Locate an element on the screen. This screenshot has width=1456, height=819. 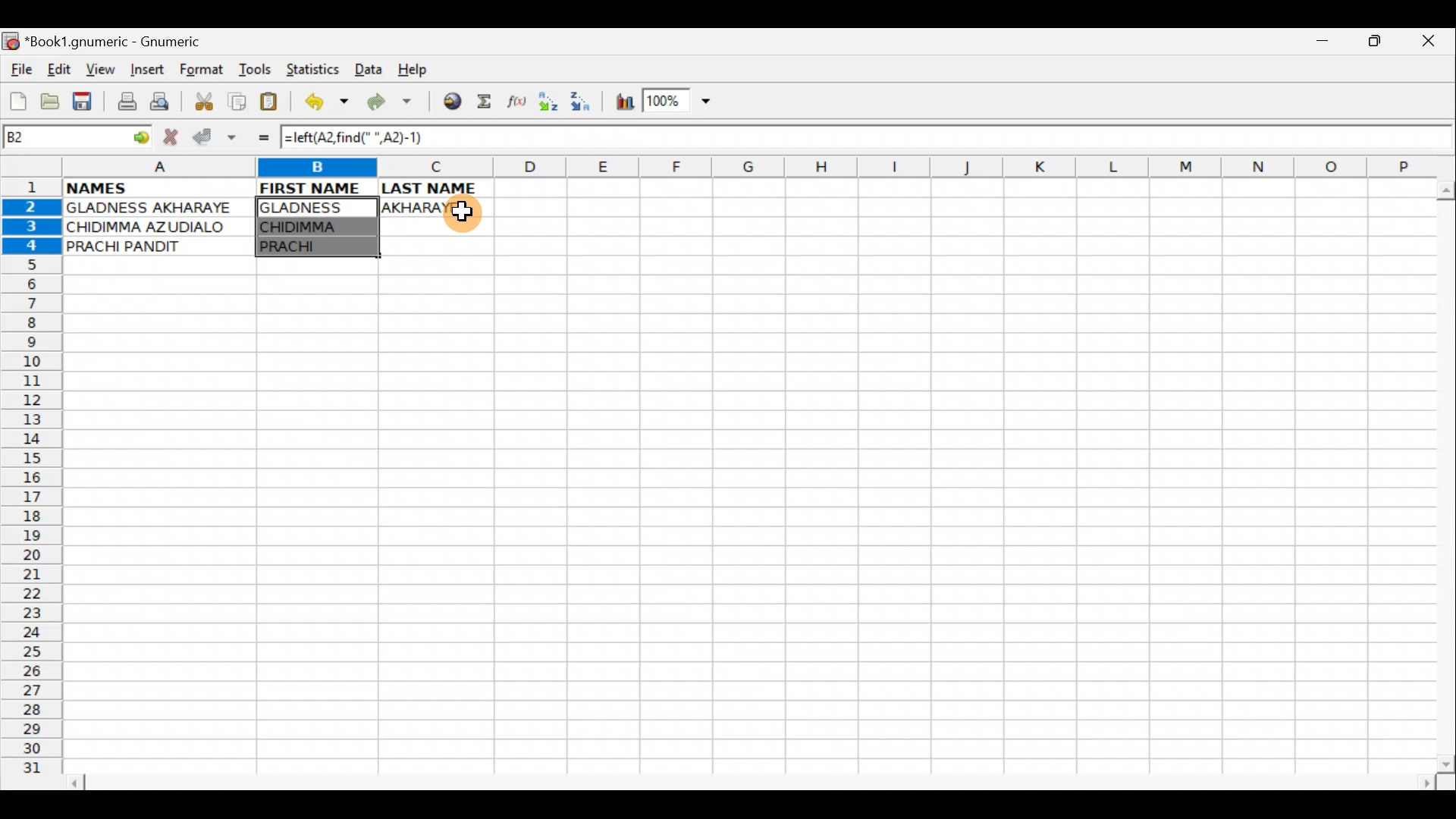
Sort Descending order is located at coordinates (585, 105).